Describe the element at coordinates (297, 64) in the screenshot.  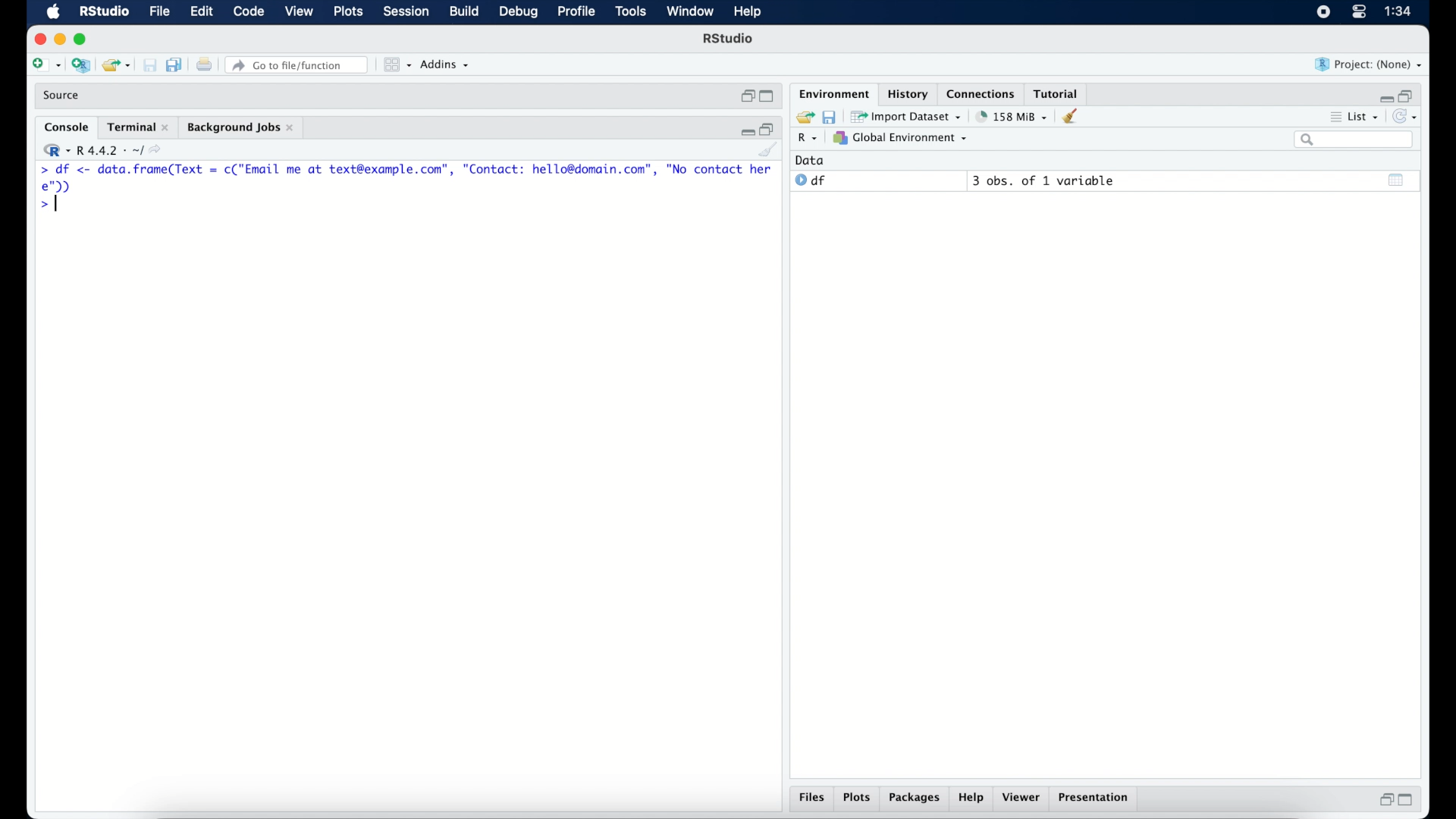
I see `Go to file/function` at that location.